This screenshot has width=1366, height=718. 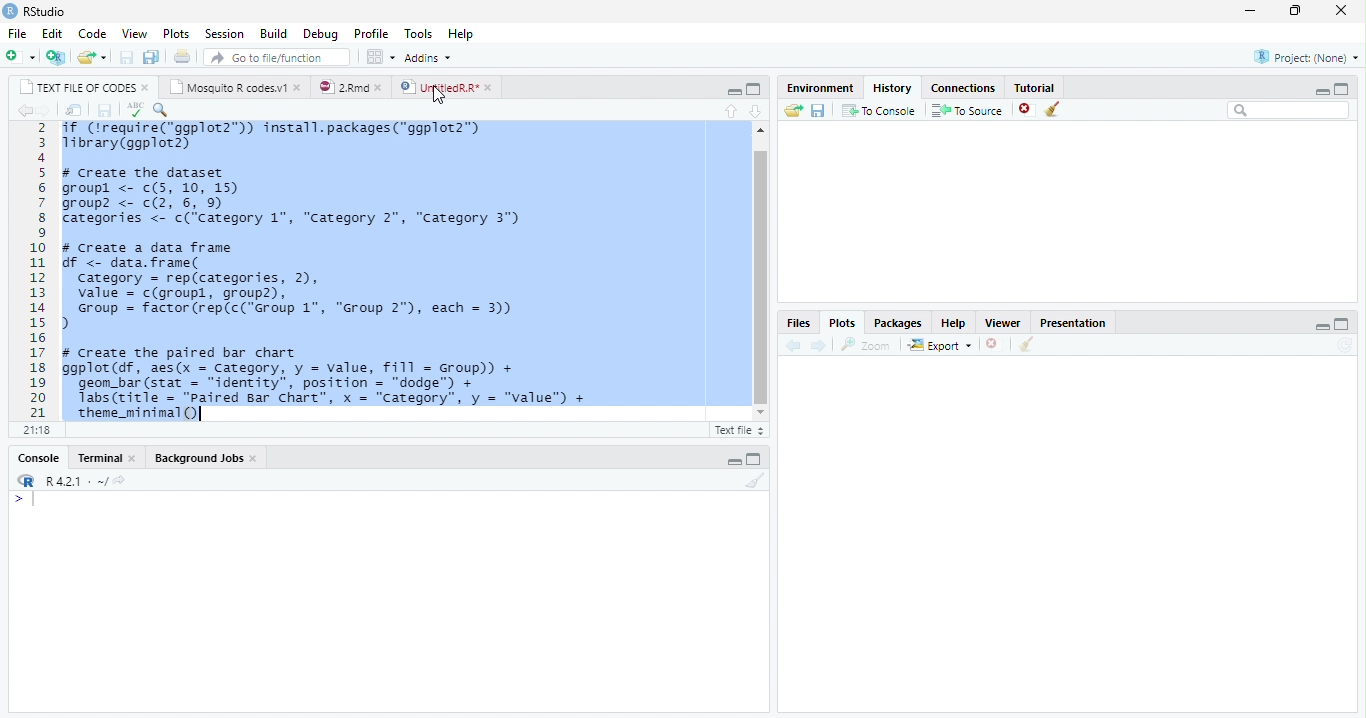 I want to click on close, so click(x=380, y=88).